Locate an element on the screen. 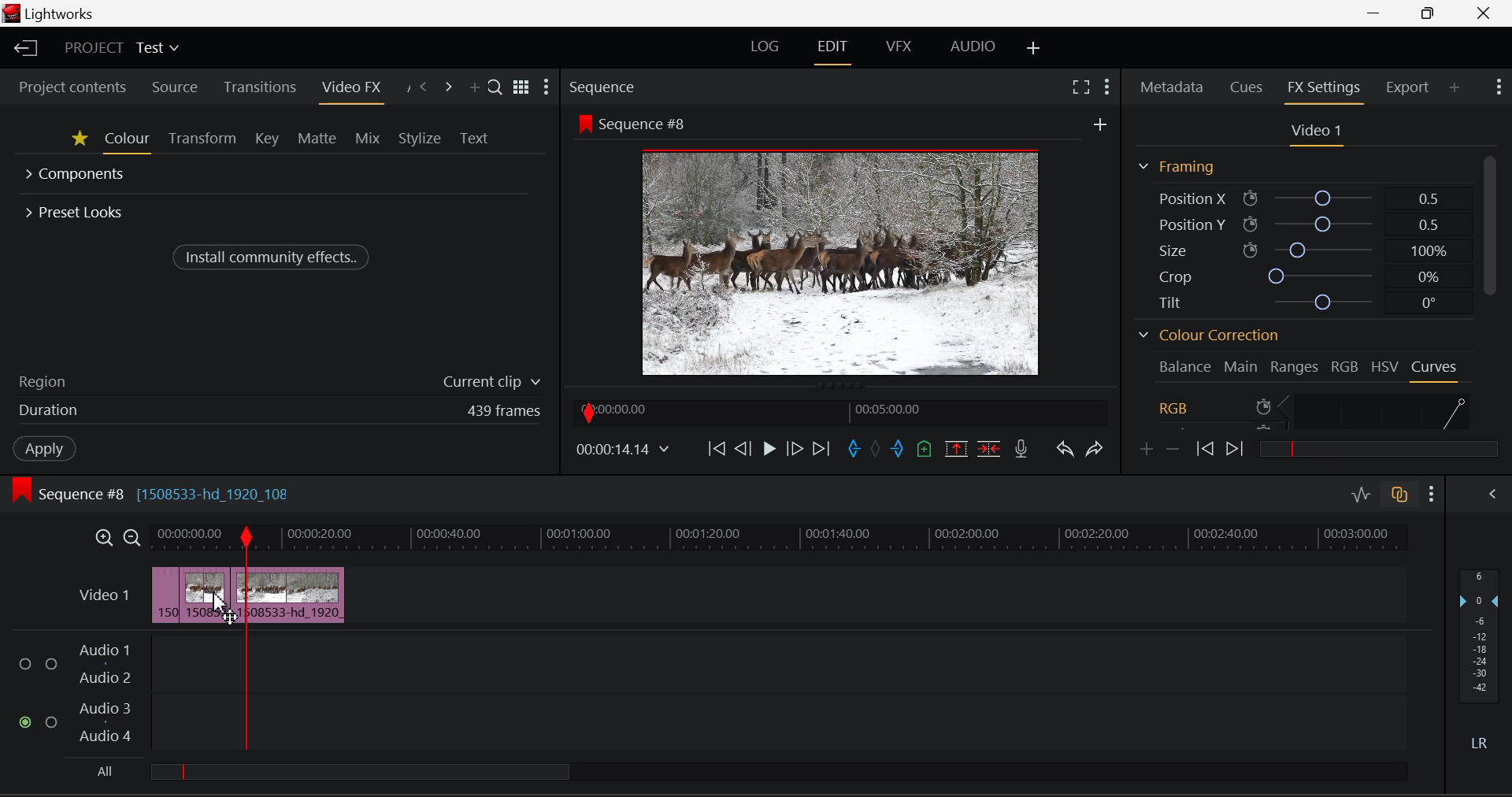 This screenshot has width=1512, height=797. LOG Layout is located at coordinates (765, 47).